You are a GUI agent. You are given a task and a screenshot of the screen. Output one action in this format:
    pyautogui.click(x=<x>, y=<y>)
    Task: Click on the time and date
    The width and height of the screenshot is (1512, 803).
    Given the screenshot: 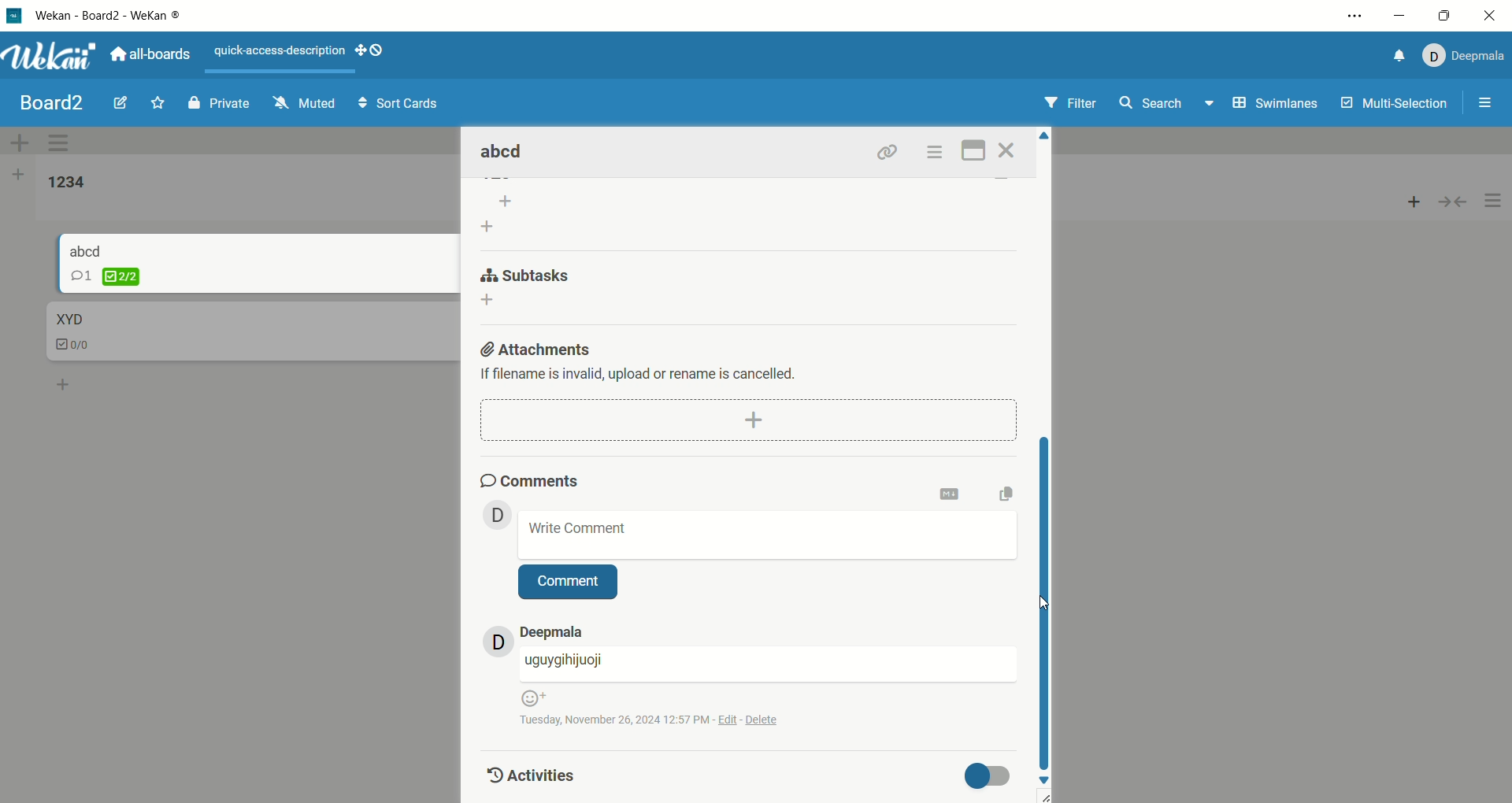 What is the action you would take?
    pyautogui.click(x=660, y=719)
    